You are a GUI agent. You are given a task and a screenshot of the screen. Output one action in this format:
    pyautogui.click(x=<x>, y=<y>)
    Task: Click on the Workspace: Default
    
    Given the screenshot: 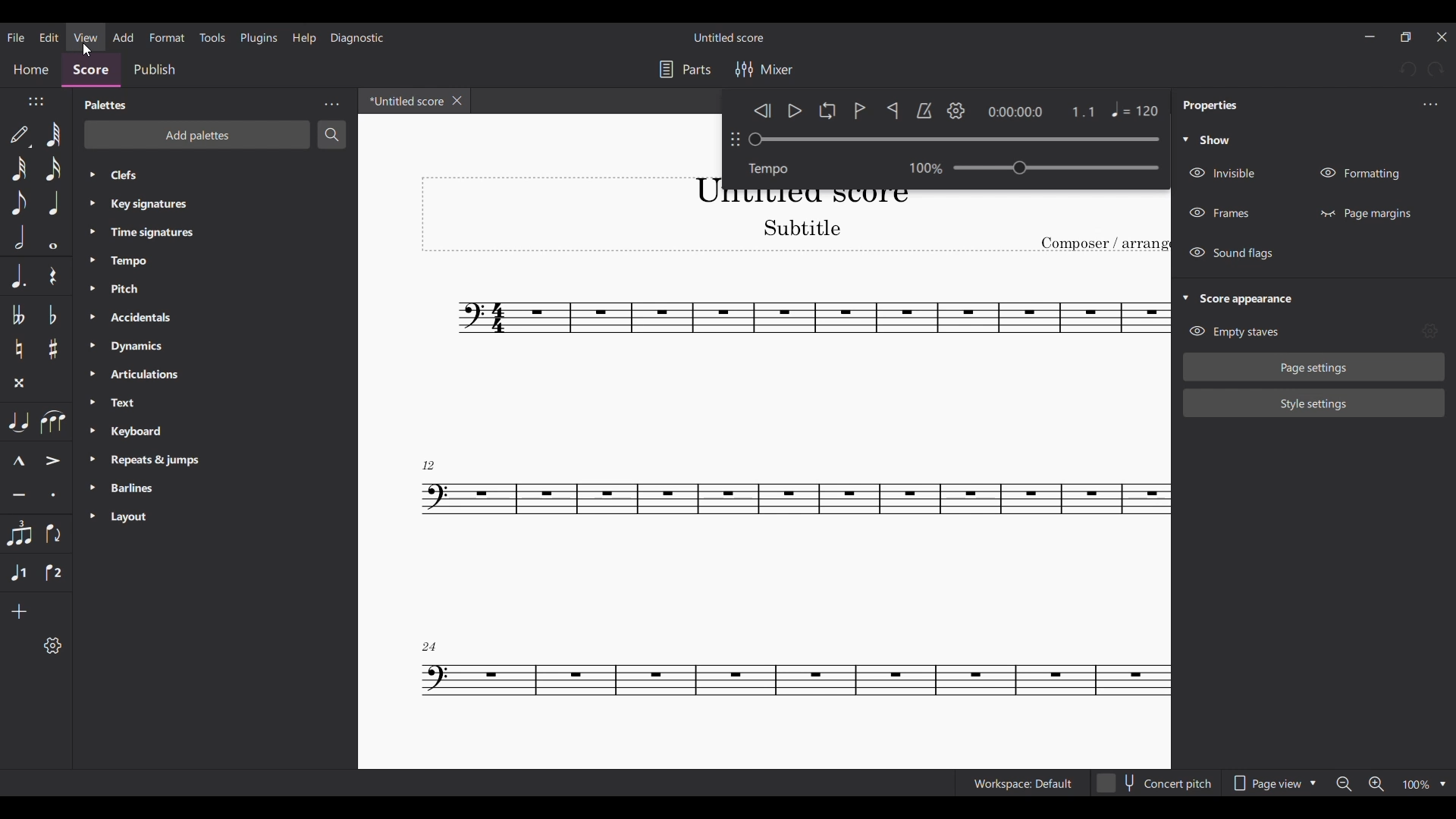 What is the action you would take?
    pyautogui.click(x=1022, y=783)
    